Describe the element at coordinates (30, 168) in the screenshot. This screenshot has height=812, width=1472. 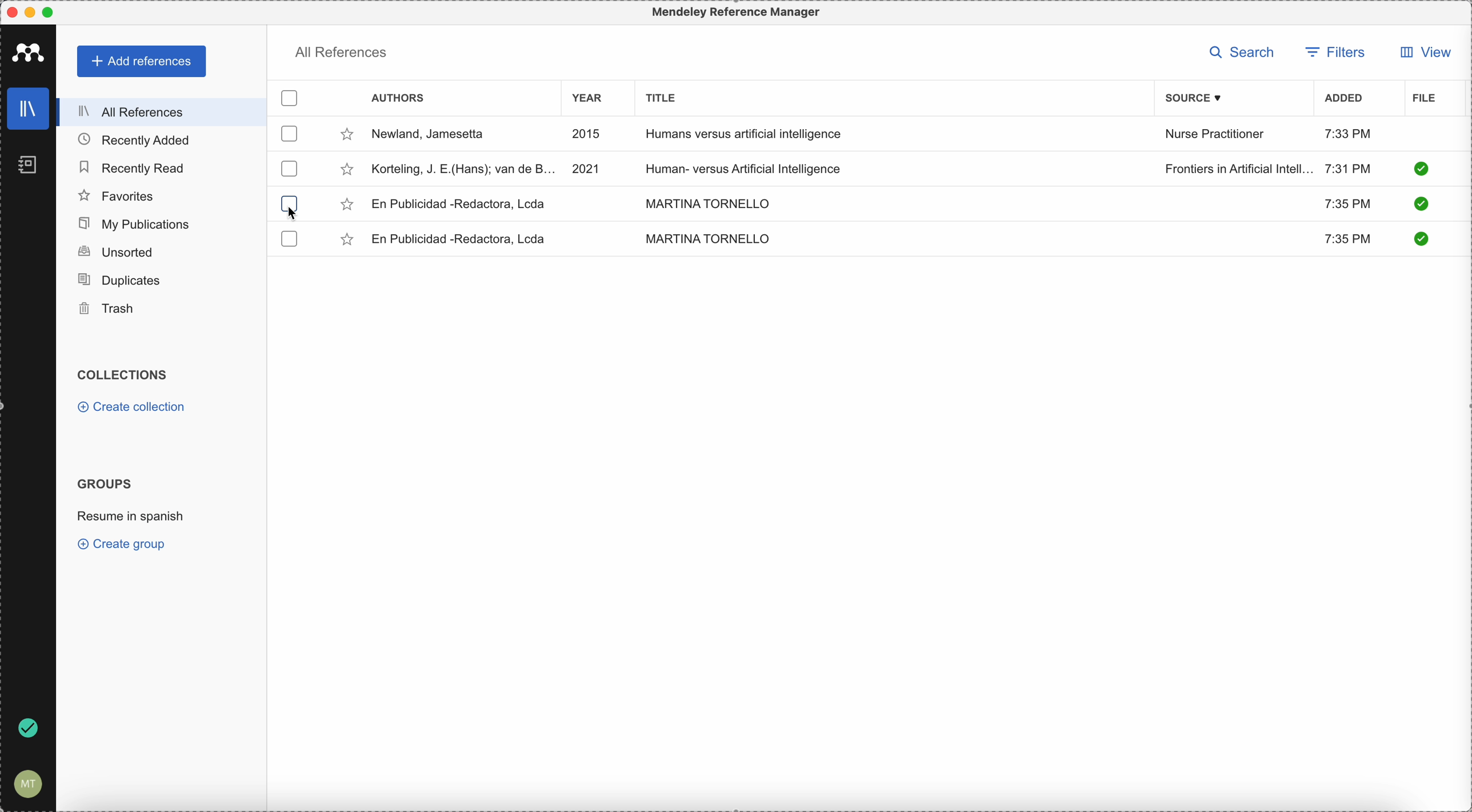
I see `notebooks` at that location.